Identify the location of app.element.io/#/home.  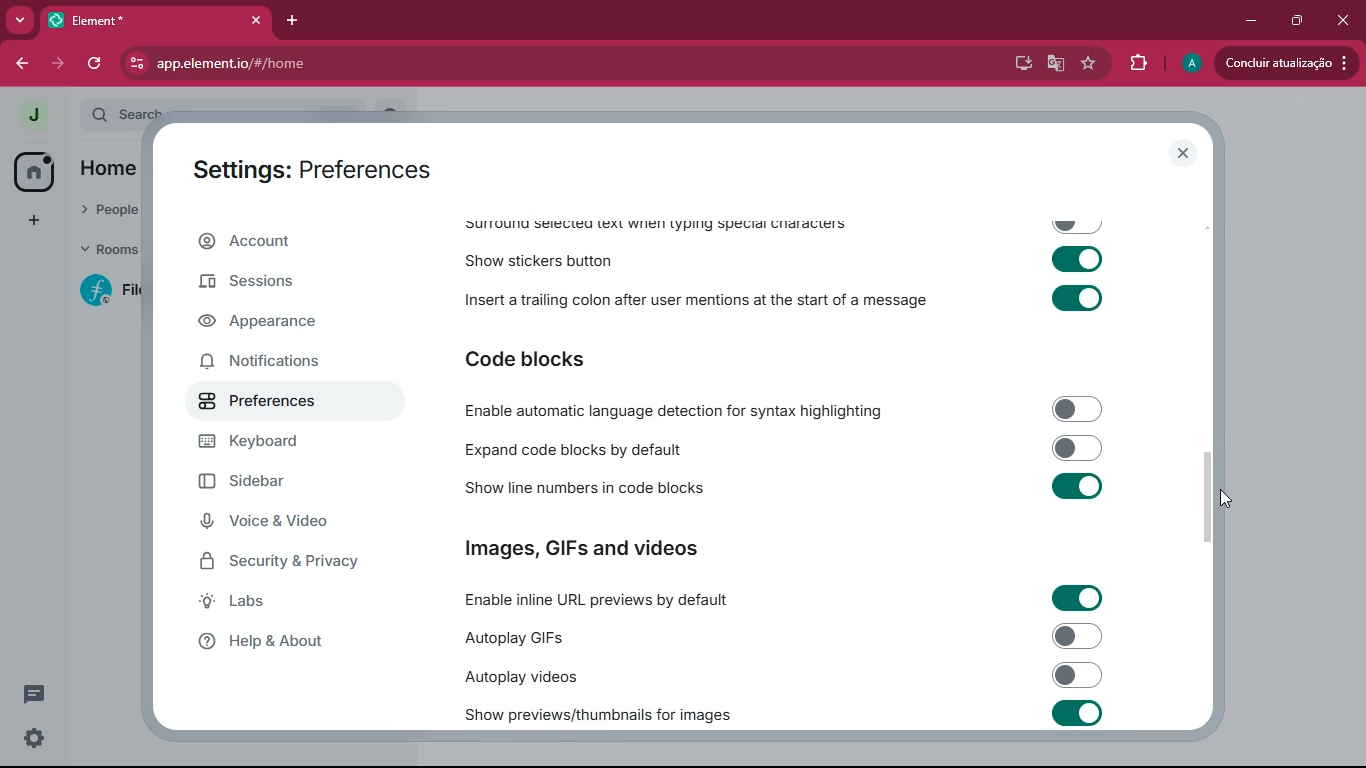
(289, 63).